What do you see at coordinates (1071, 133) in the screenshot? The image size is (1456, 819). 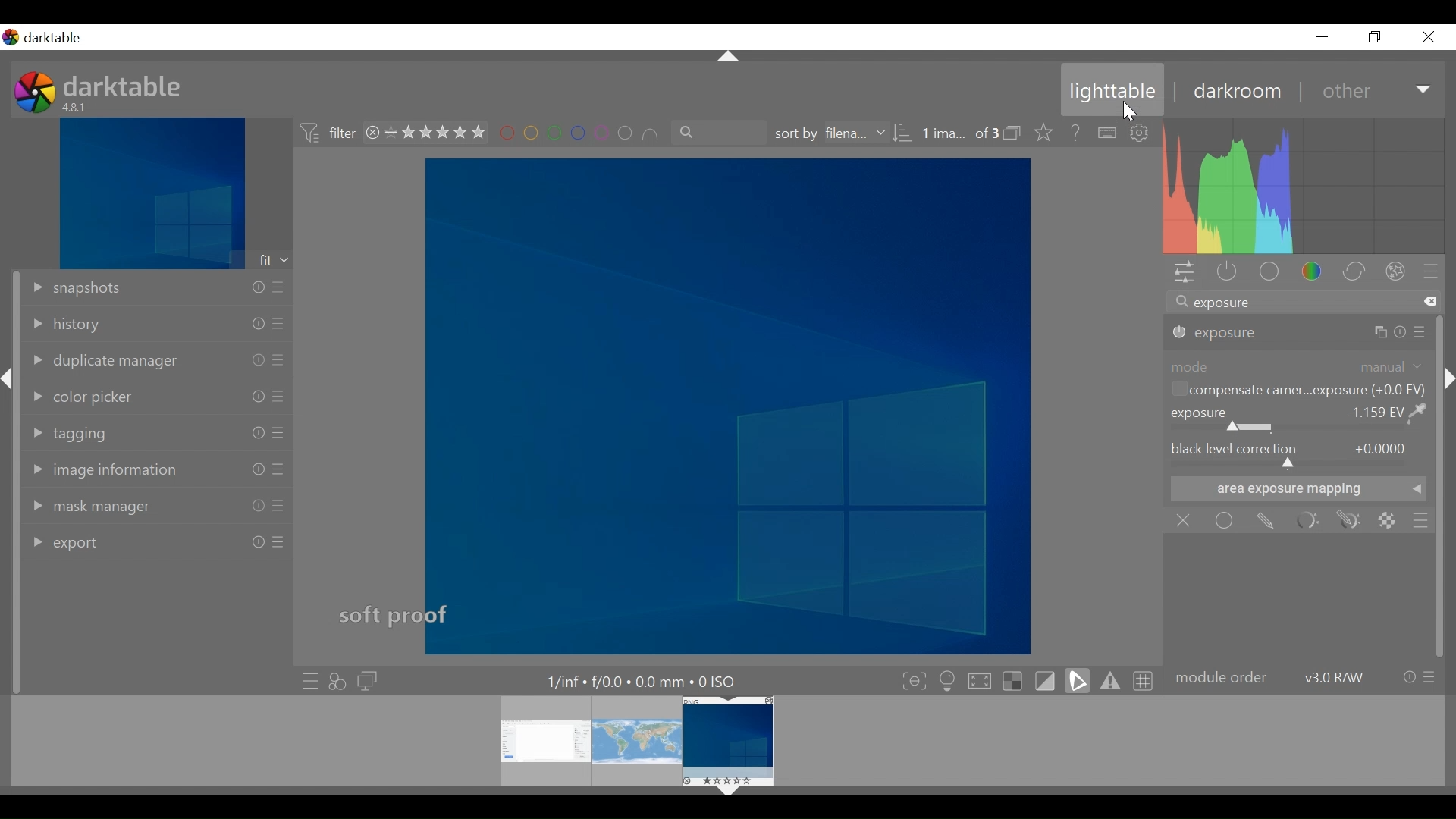 I see `help` at bounding box center [1071, 133].